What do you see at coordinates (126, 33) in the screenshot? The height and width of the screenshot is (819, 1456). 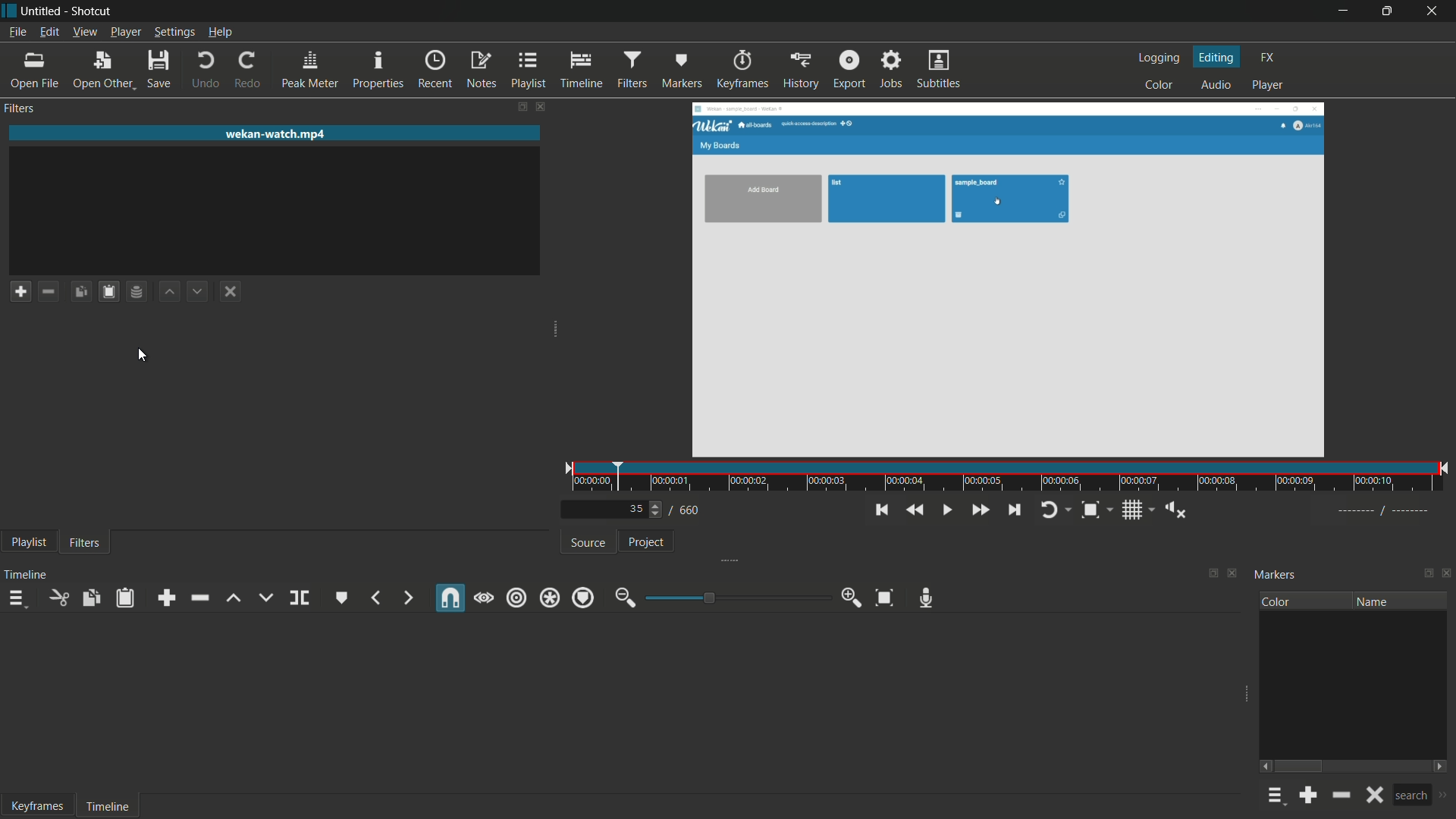 I see `player menu` at bounding box center [126, 33].